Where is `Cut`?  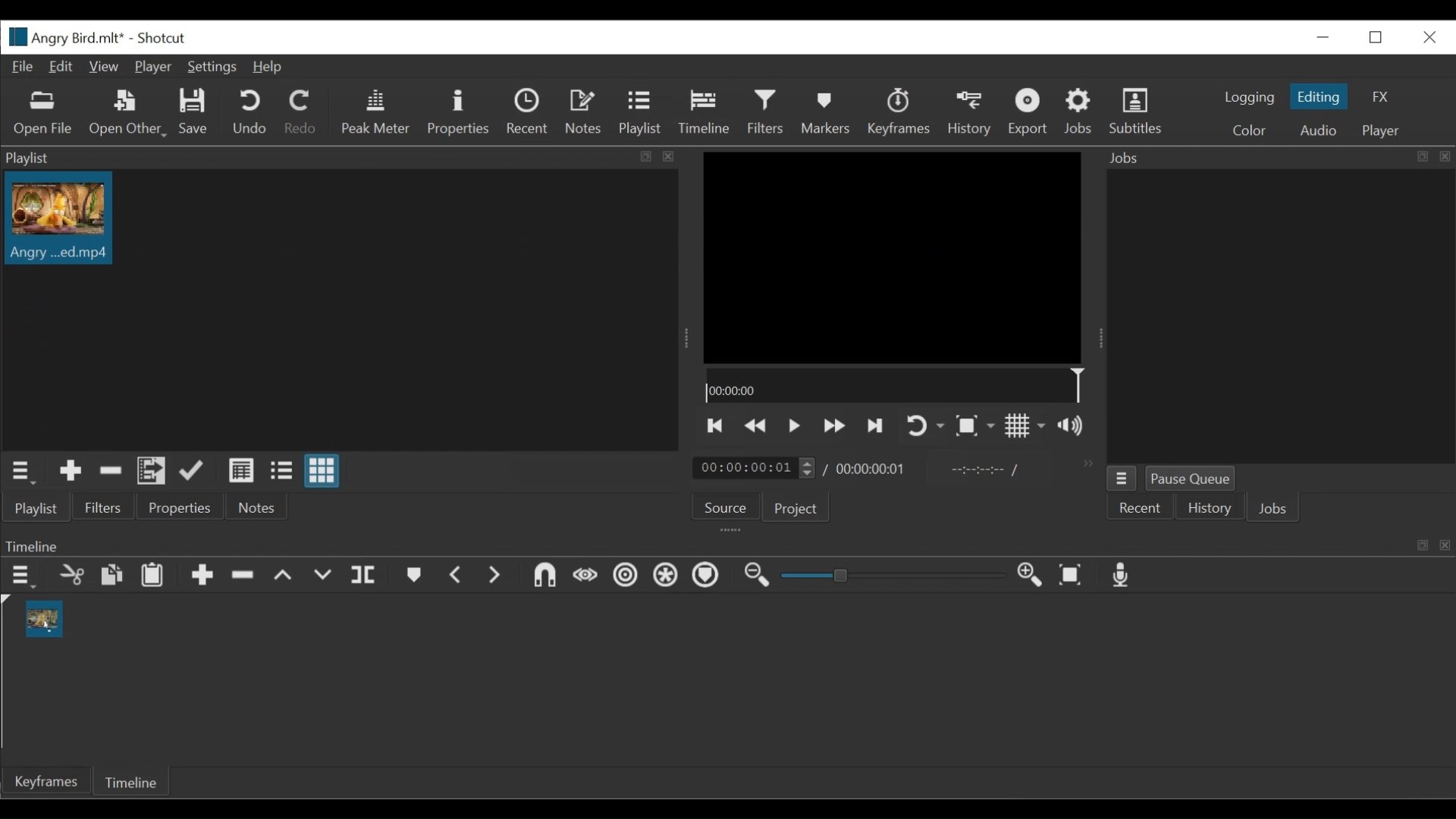 Cut is located at coordinates (71, 574).